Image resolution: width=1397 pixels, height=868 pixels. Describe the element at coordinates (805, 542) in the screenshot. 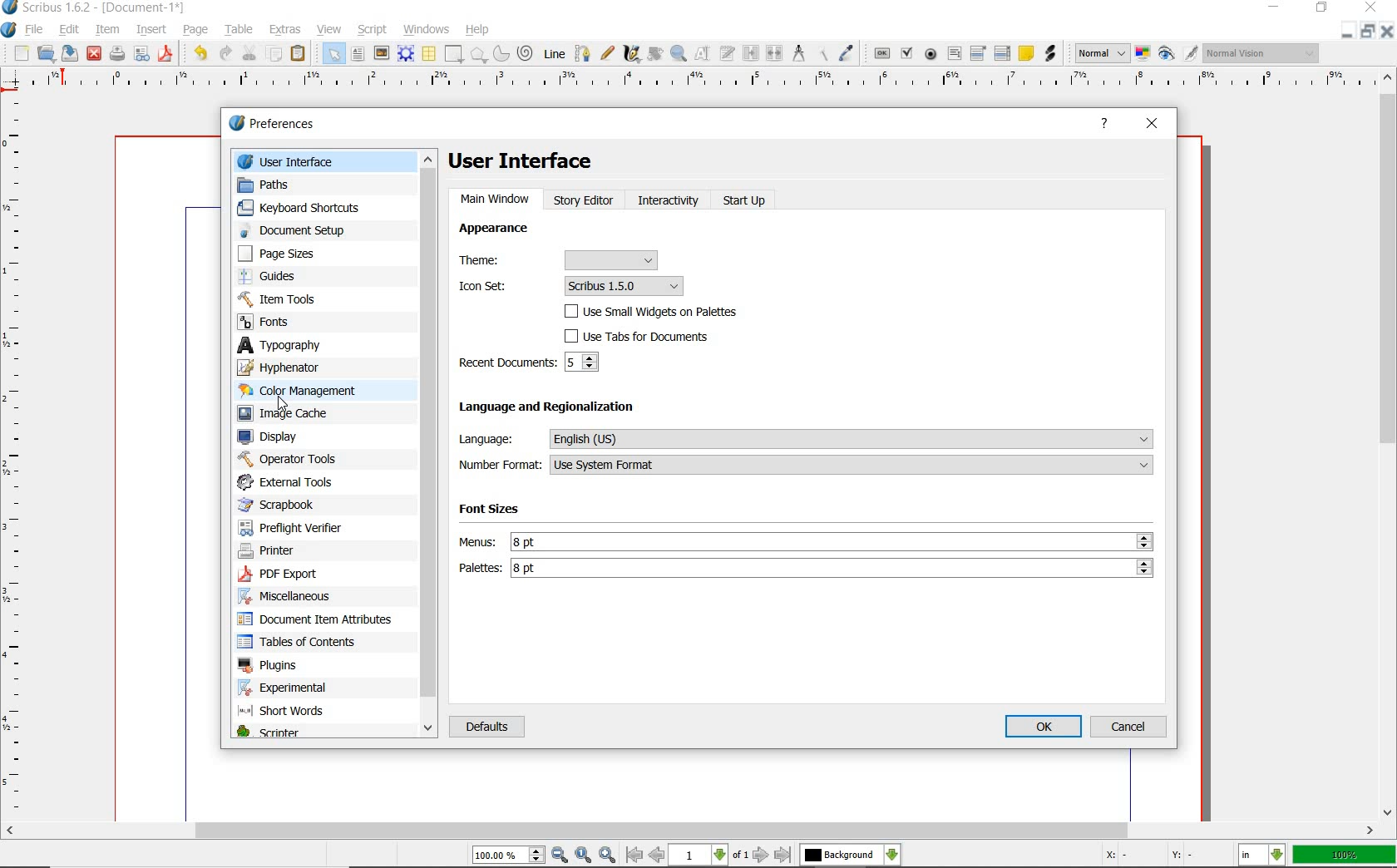

I see `Menus` at that location.